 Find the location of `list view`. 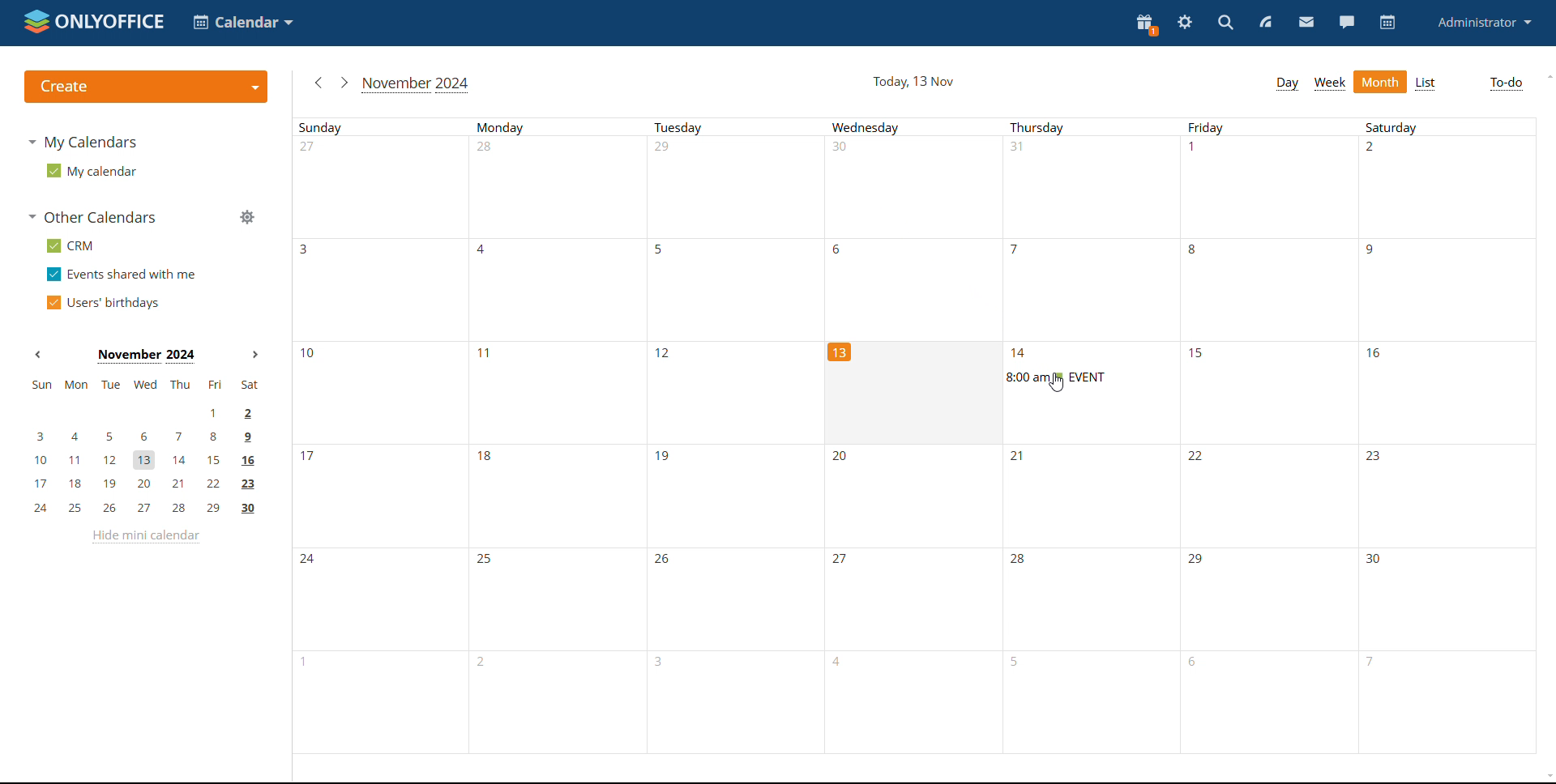

list view is located at coordinates (1426, 83).